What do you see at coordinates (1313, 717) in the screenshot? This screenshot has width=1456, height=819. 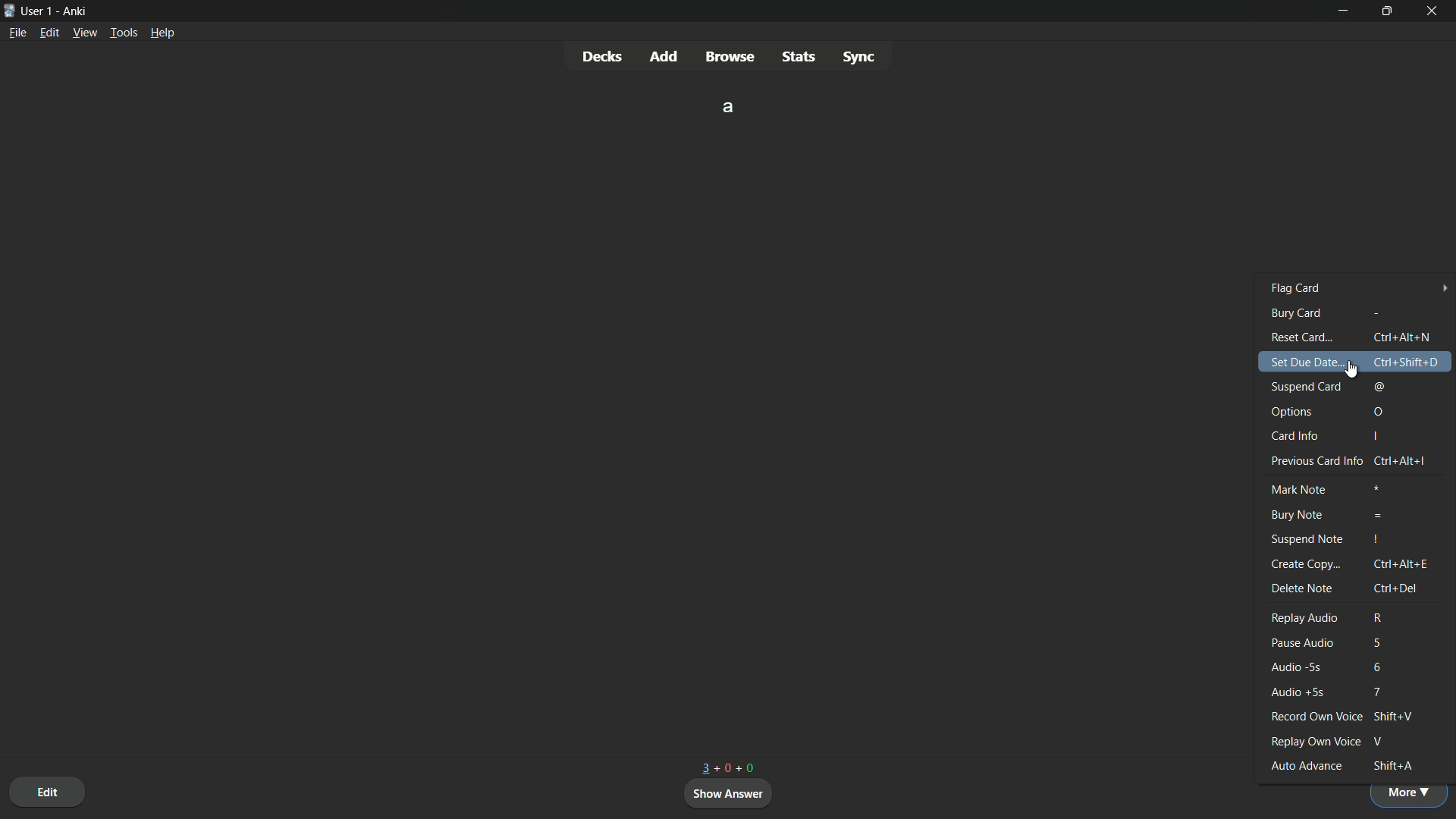 I see `record own voice` at bounding box center [1313, 717].